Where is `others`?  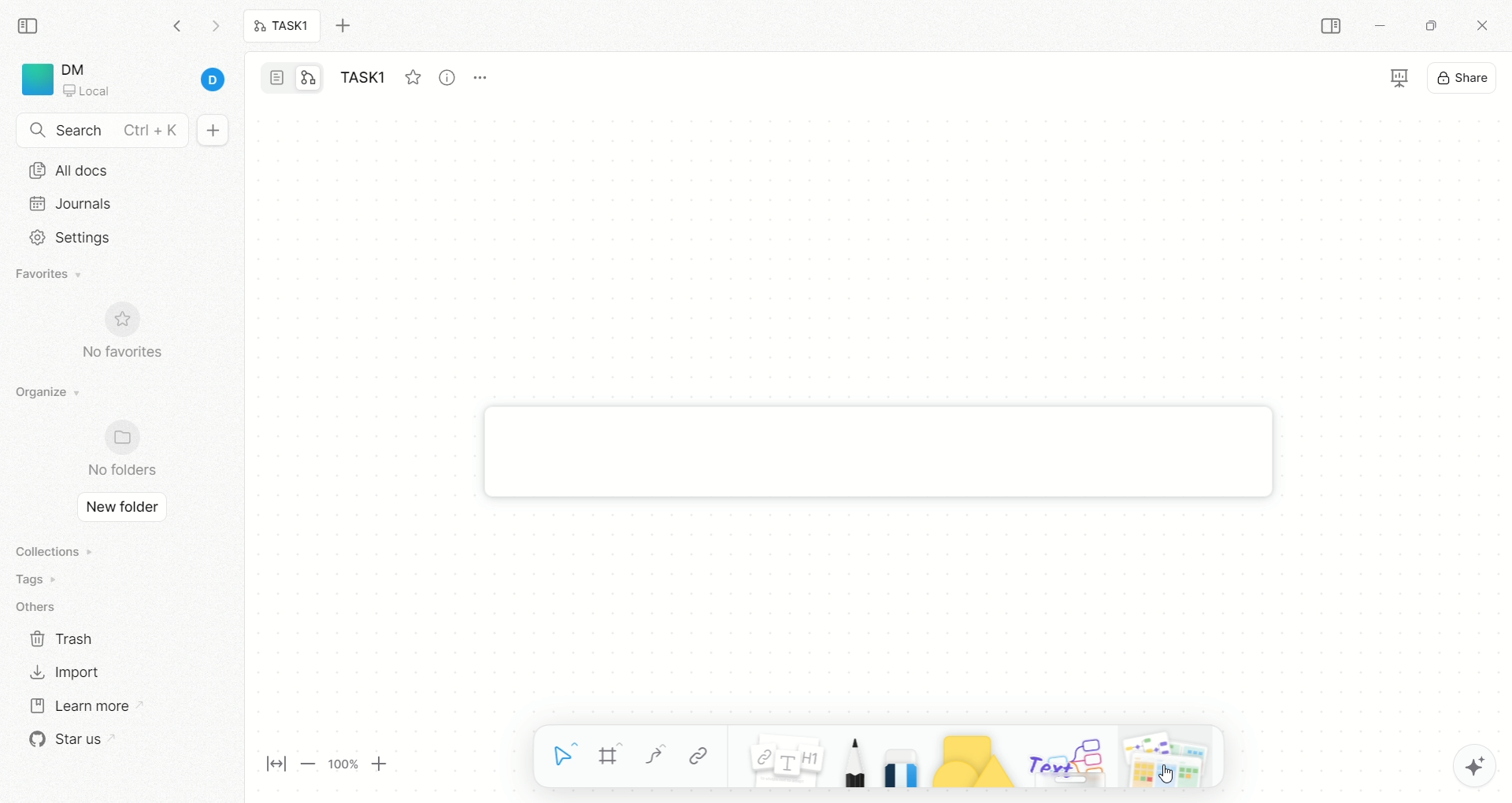
others is located at coordinates (39, 608).